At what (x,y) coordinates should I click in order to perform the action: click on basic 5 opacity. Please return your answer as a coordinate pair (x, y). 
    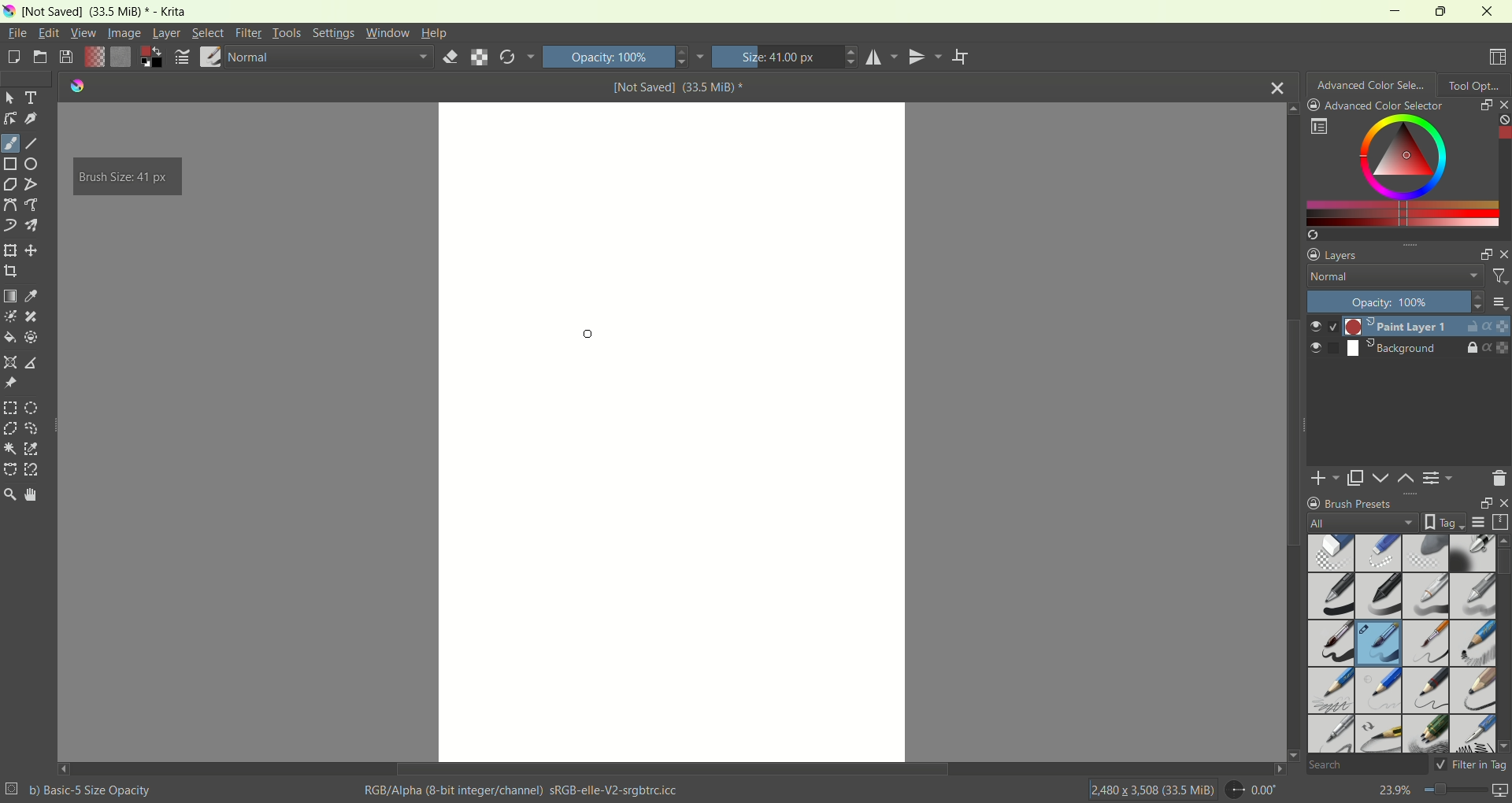
    Looking at the image, I should click on (1380, 646).